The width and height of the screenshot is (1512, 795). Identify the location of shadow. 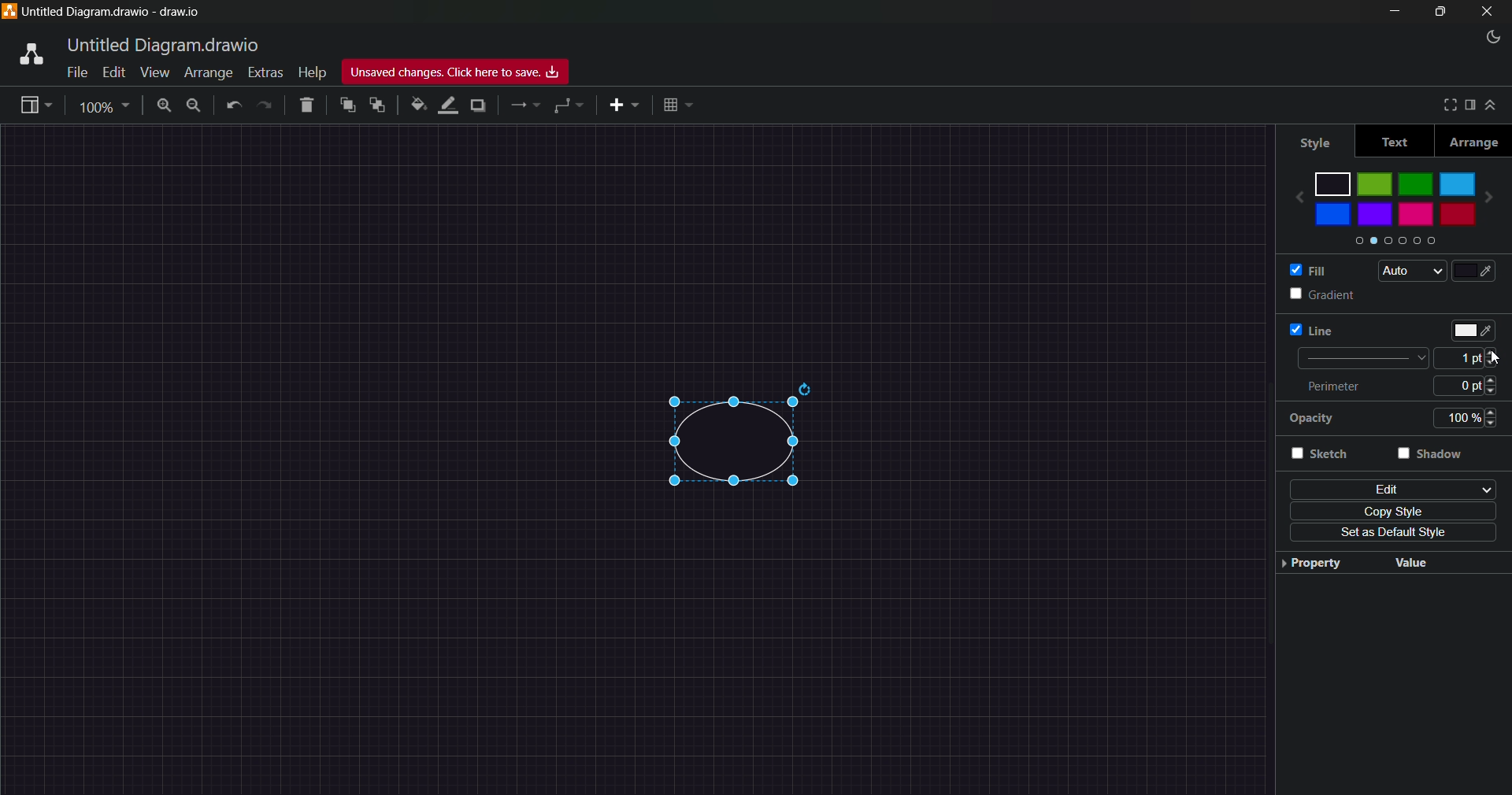
(1436, 454).